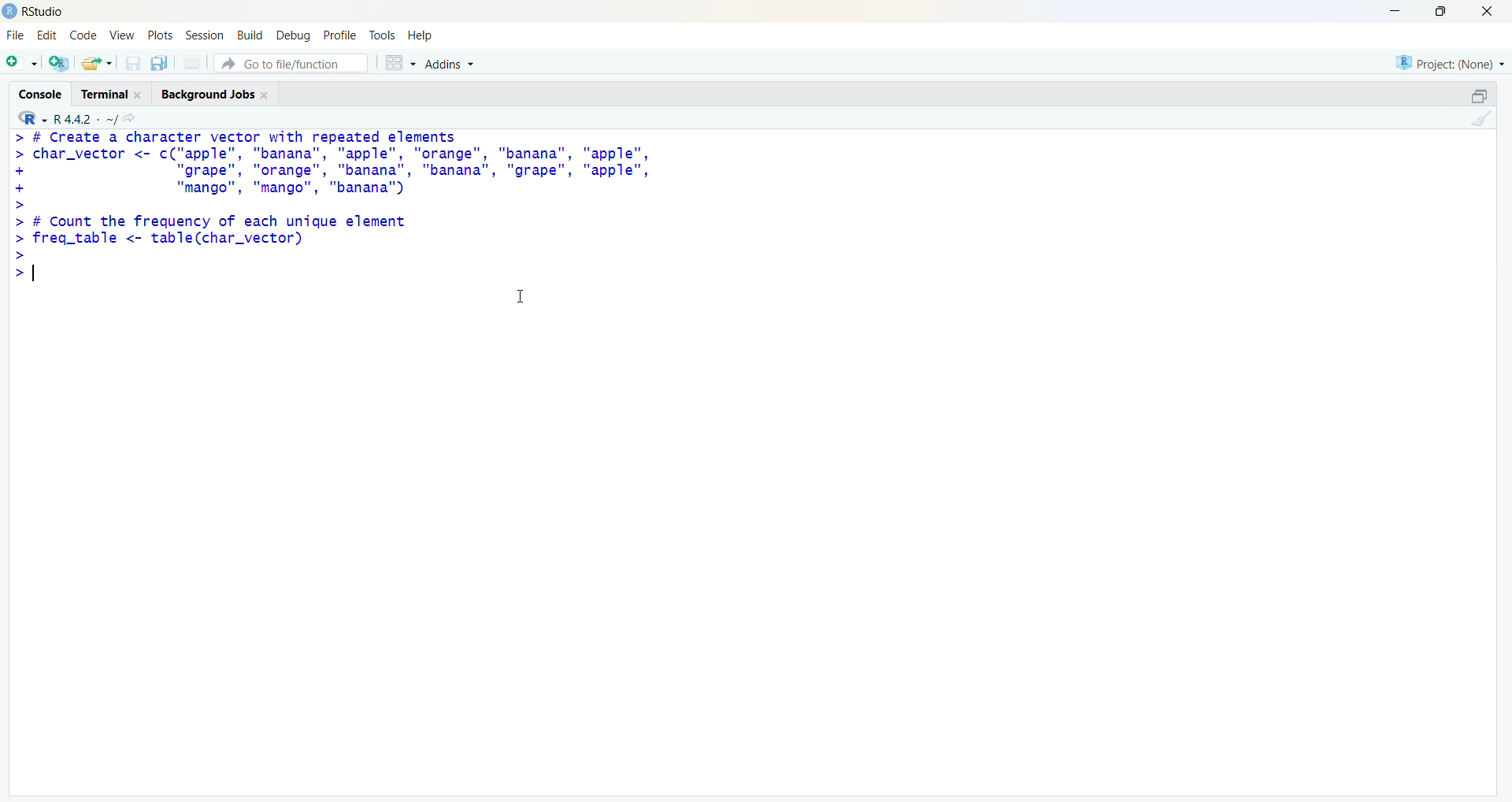 This screenshot has height=802, width=1512. I want to click on Workspace panes, so click(401, 64).